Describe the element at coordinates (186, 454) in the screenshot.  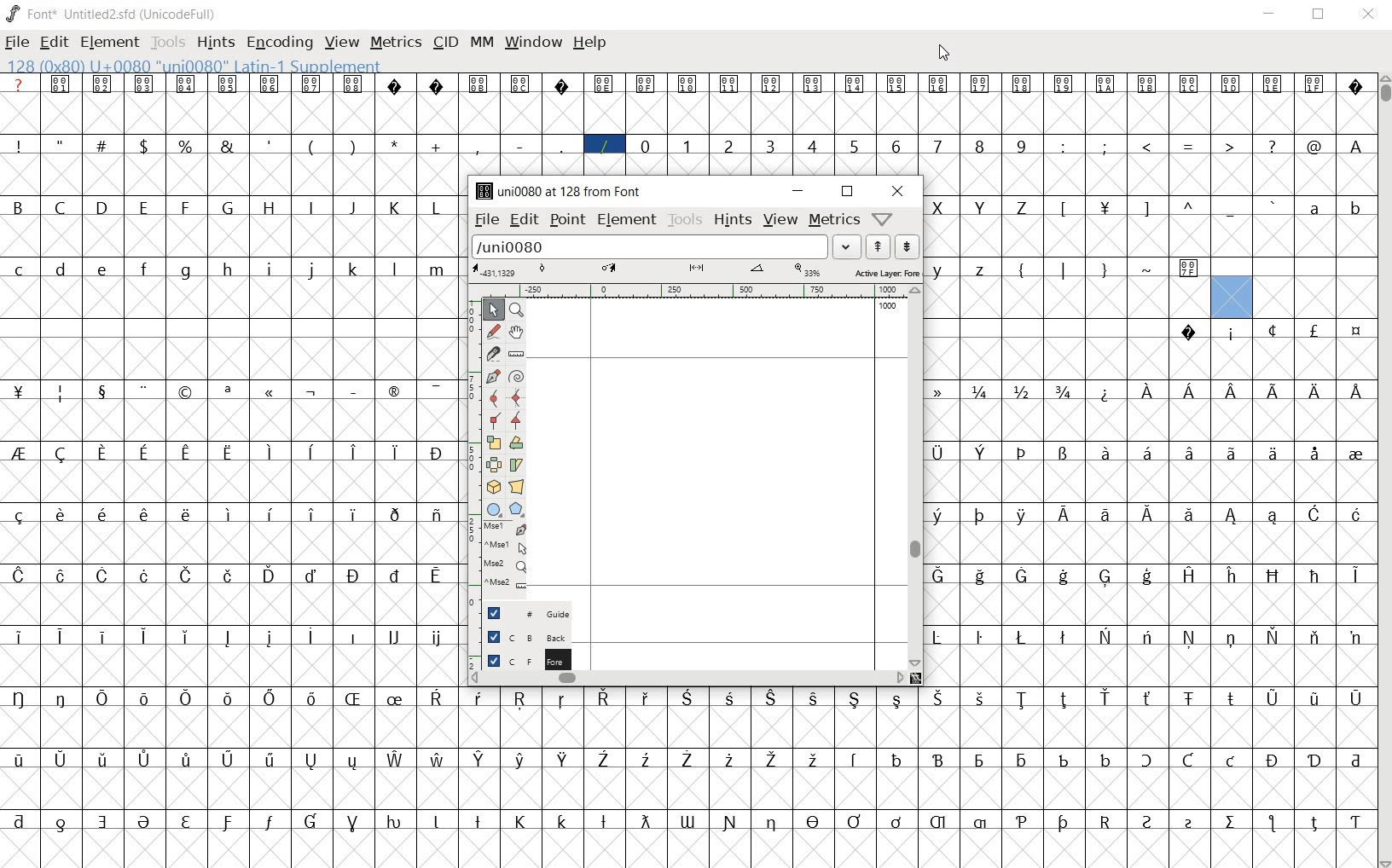
I see `glyph` at that location.